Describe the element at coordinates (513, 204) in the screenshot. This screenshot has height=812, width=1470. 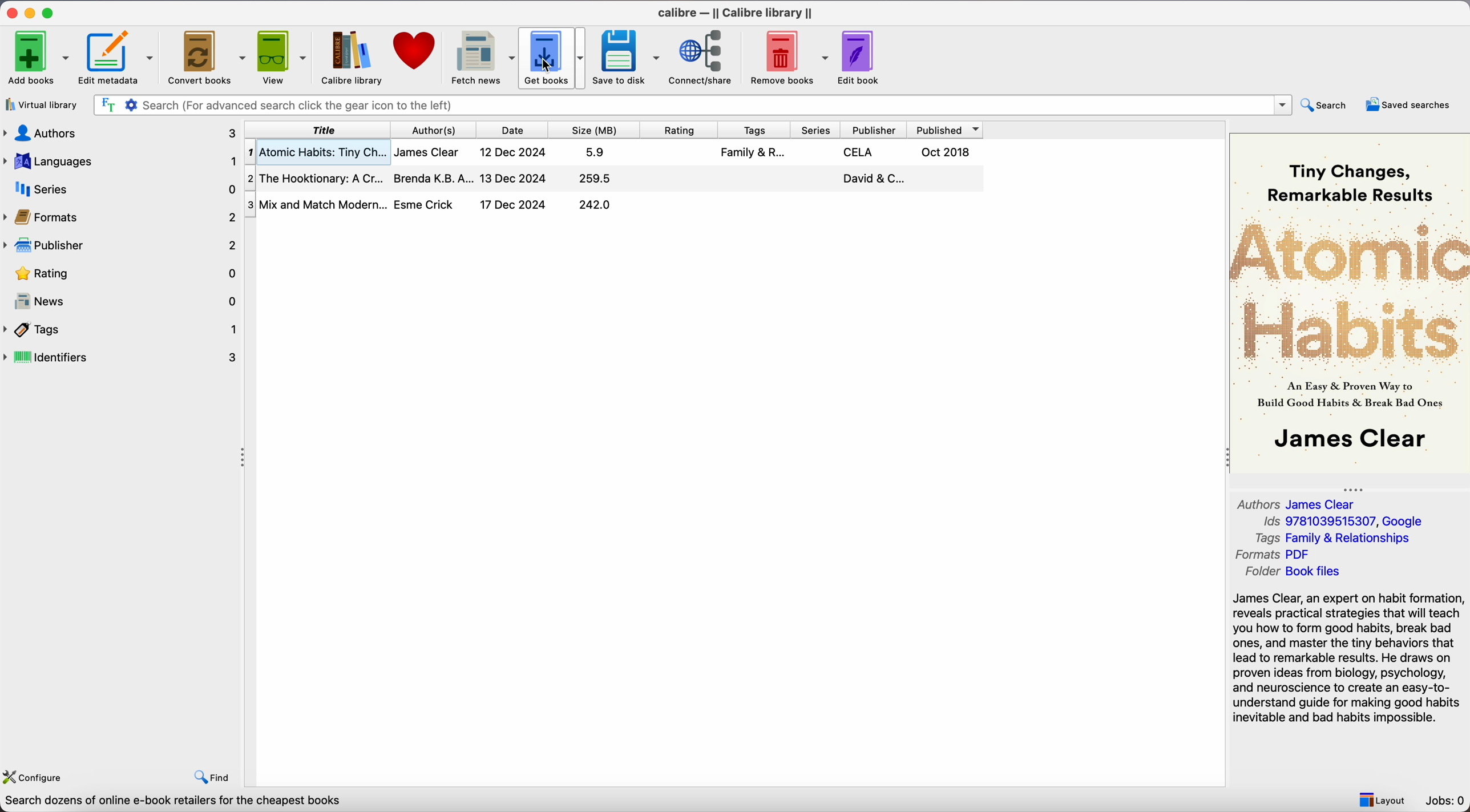
I see `17 Dec 2024` at that location.